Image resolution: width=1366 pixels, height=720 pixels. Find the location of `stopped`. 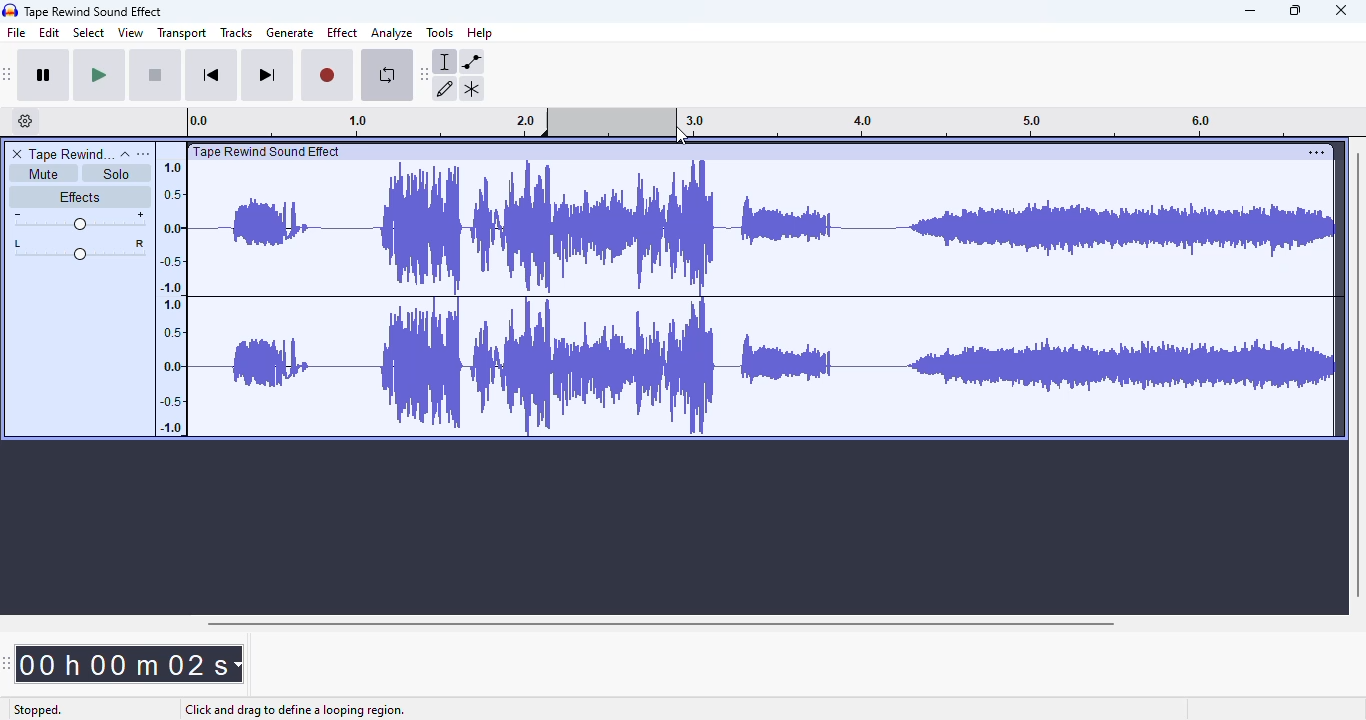

stopped is located at coordinates (37, 711).